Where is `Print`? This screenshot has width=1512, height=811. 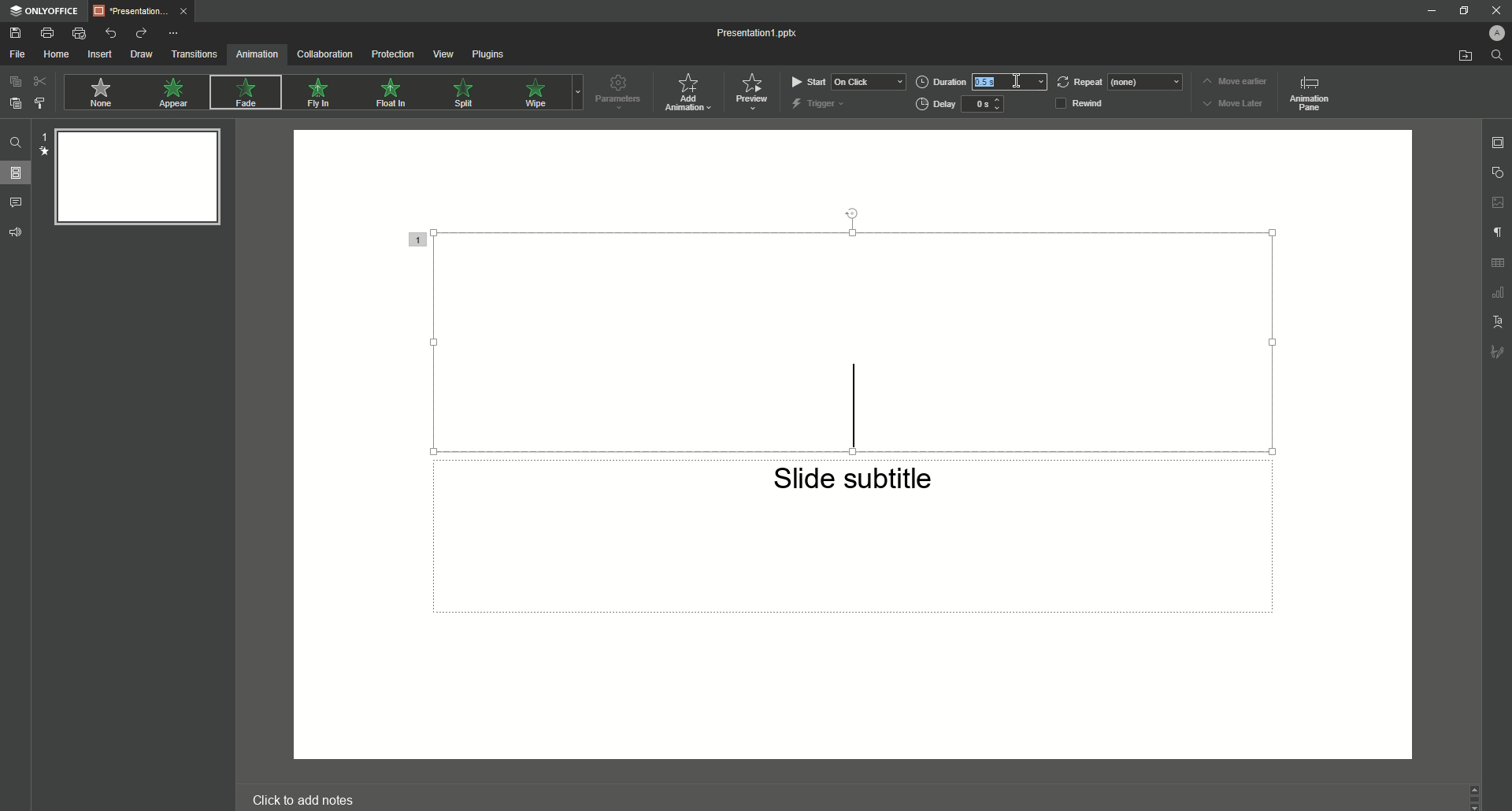 Print is located at coordinates (48, 32).